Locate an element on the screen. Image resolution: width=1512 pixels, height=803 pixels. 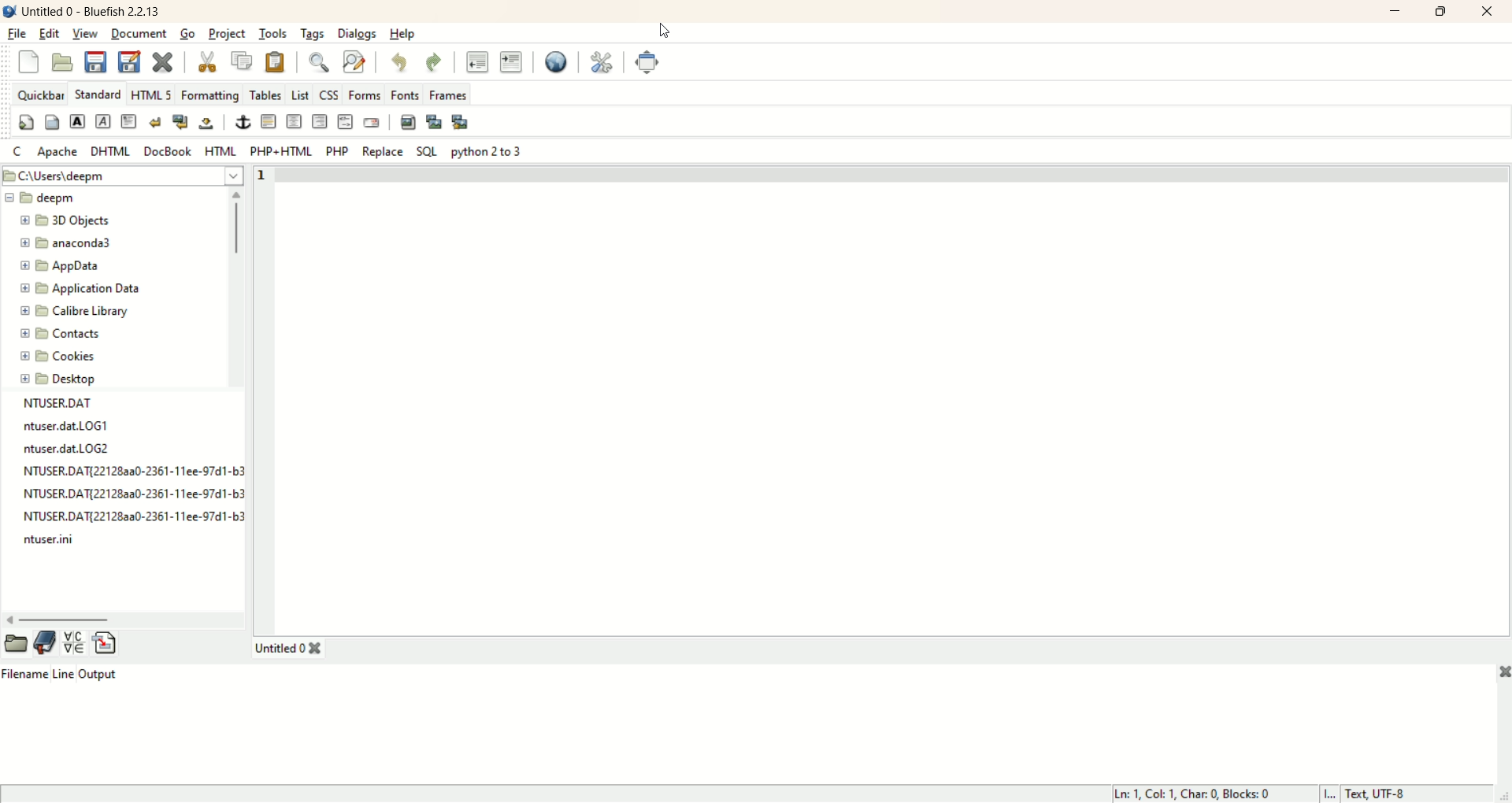
deepm is located at coordinates (43, 199).